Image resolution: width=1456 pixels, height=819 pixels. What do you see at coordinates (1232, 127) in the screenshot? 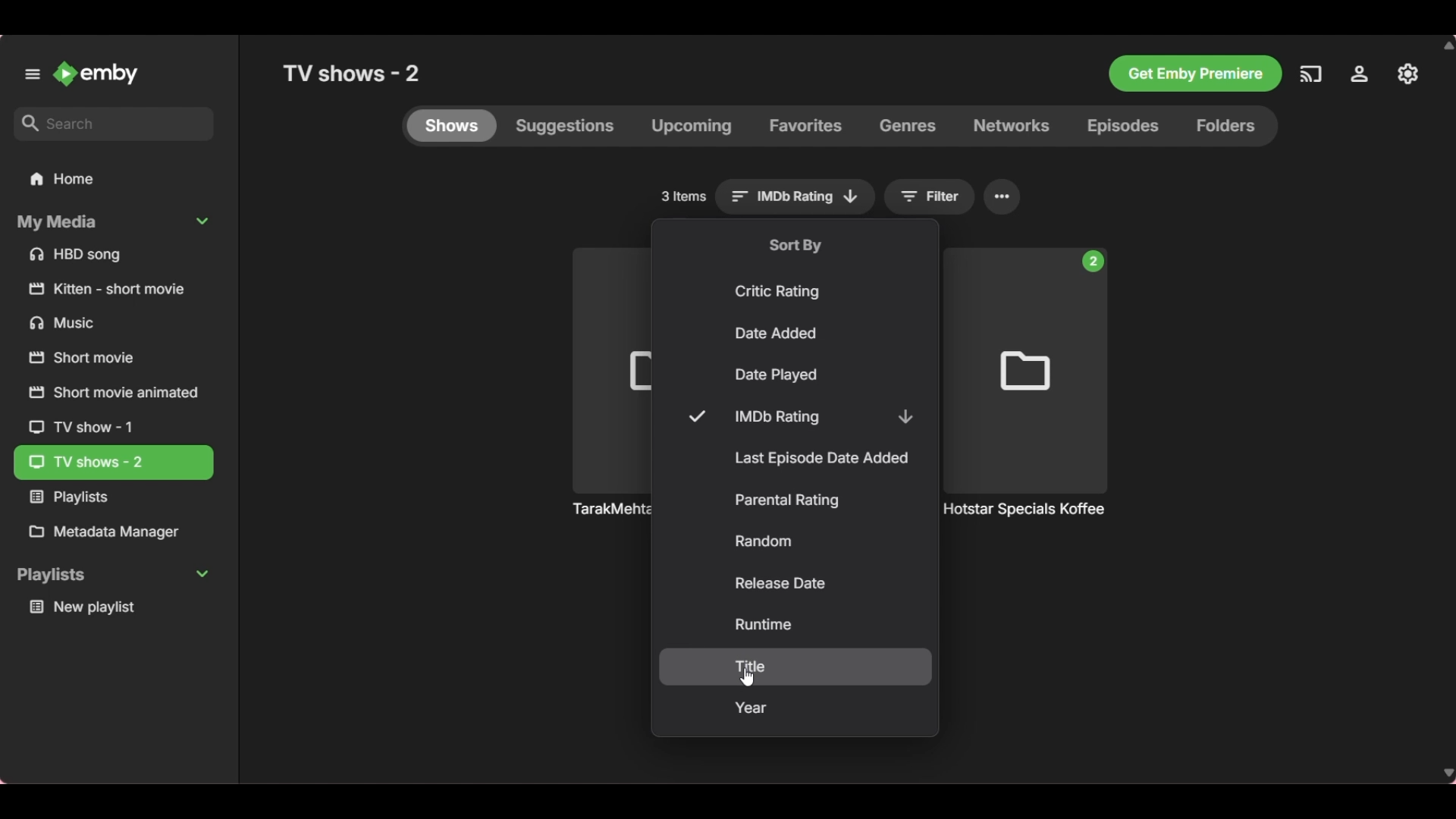
I see `Folders` at bounding box center [1232, 127].